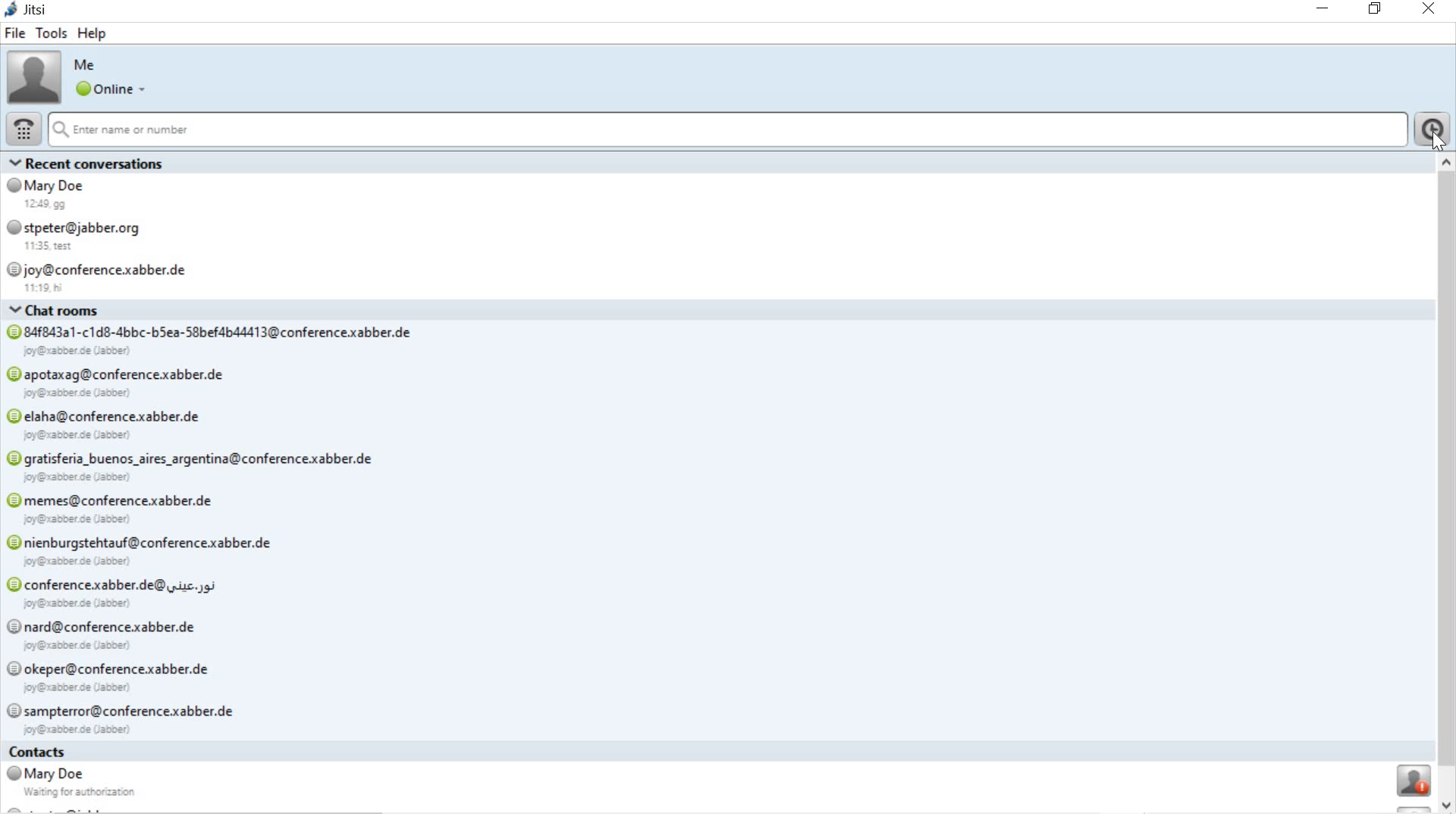  What do you see at coordinates (22, 131) in the screenshot?
I see `dial pad` at bounding box center [22, 131].